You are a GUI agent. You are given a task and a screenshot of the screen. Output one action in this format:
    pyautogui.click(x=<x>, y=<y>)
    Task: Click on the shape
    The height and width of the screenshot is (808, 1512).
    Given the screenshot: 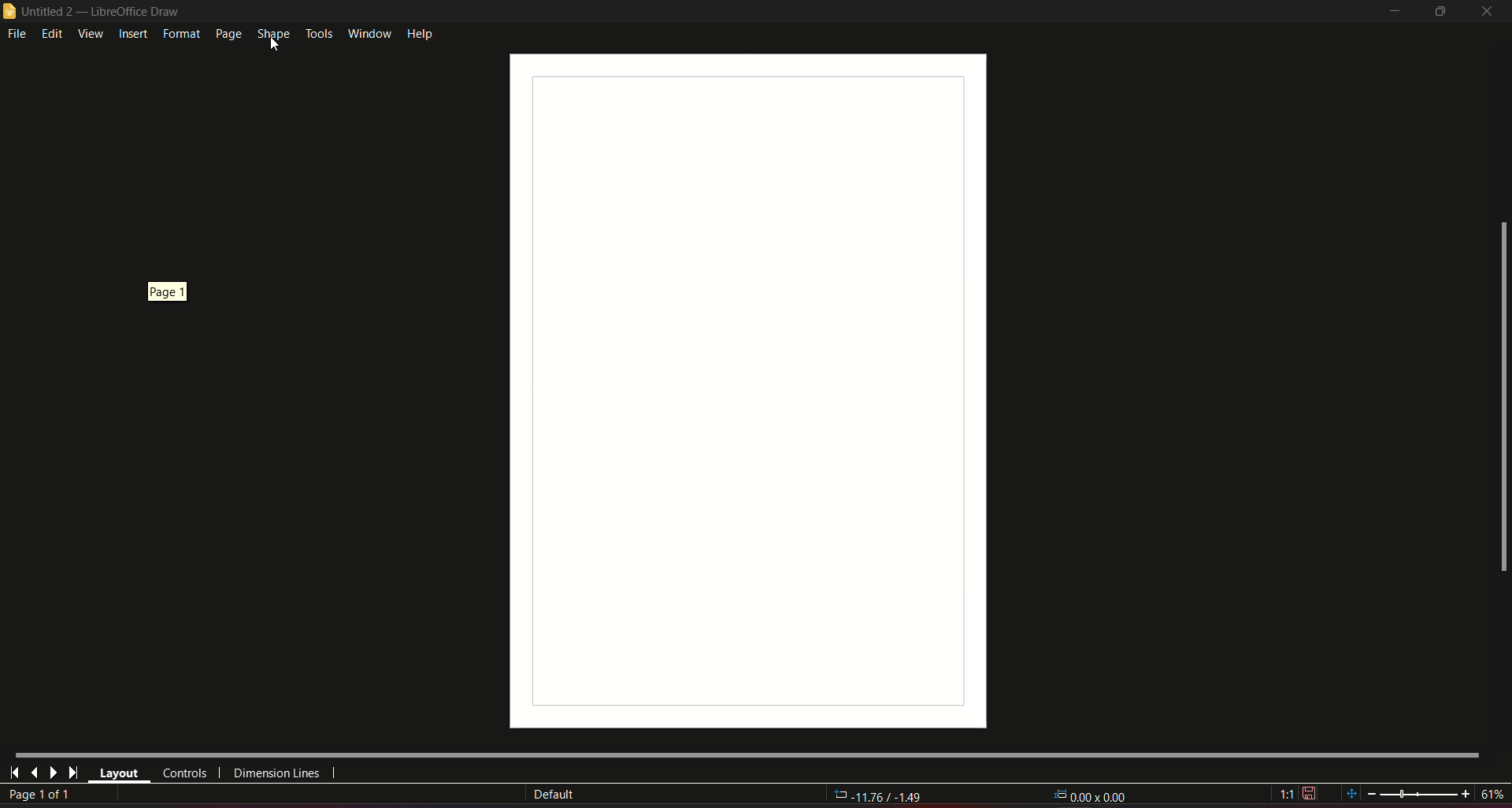 What is the action you would take?
    pyautogui.click(x=272, y=35)
    